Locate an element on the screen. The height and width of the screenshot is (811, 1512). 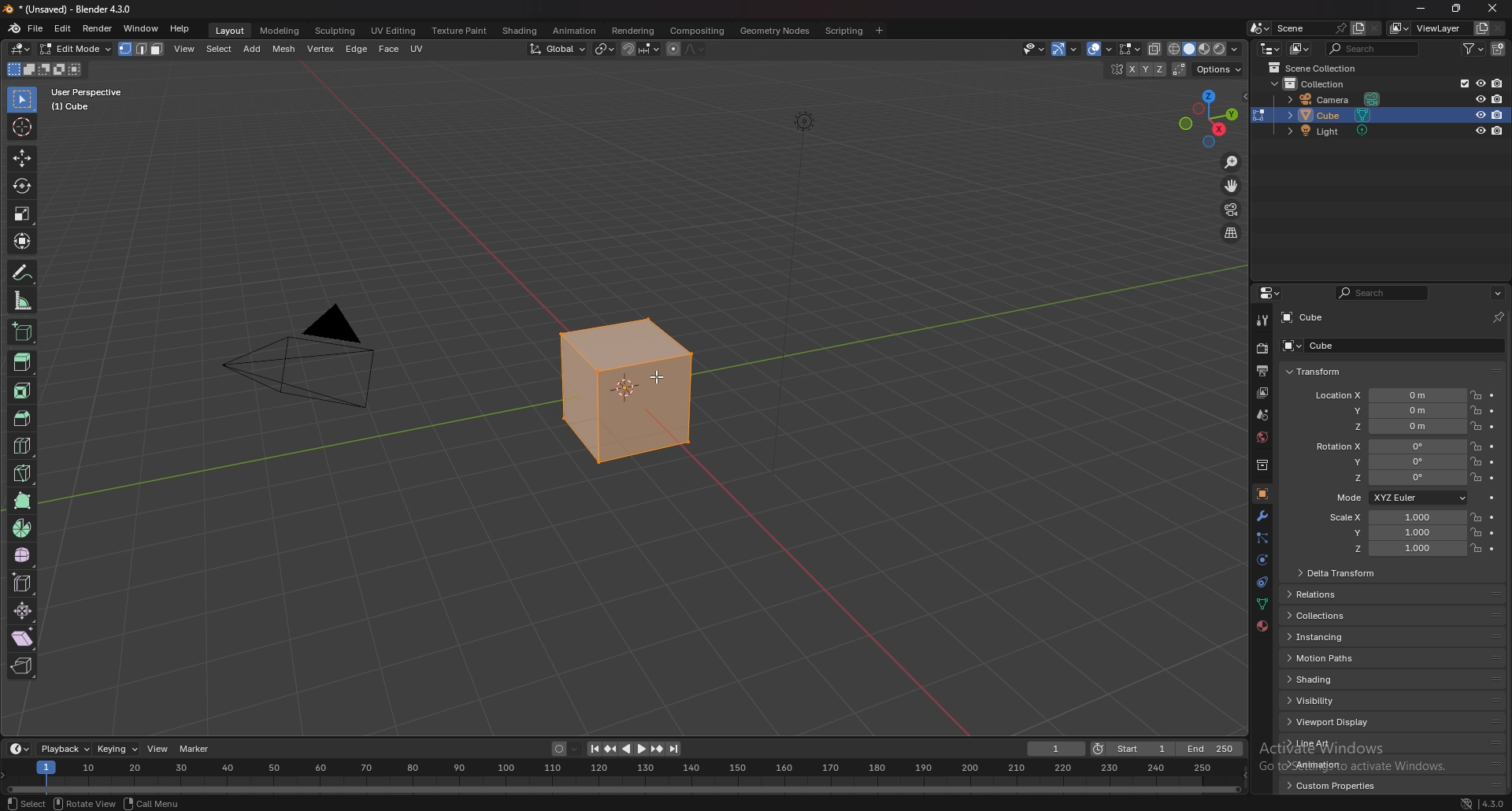
scale x is located at coordinates (1394, 518).